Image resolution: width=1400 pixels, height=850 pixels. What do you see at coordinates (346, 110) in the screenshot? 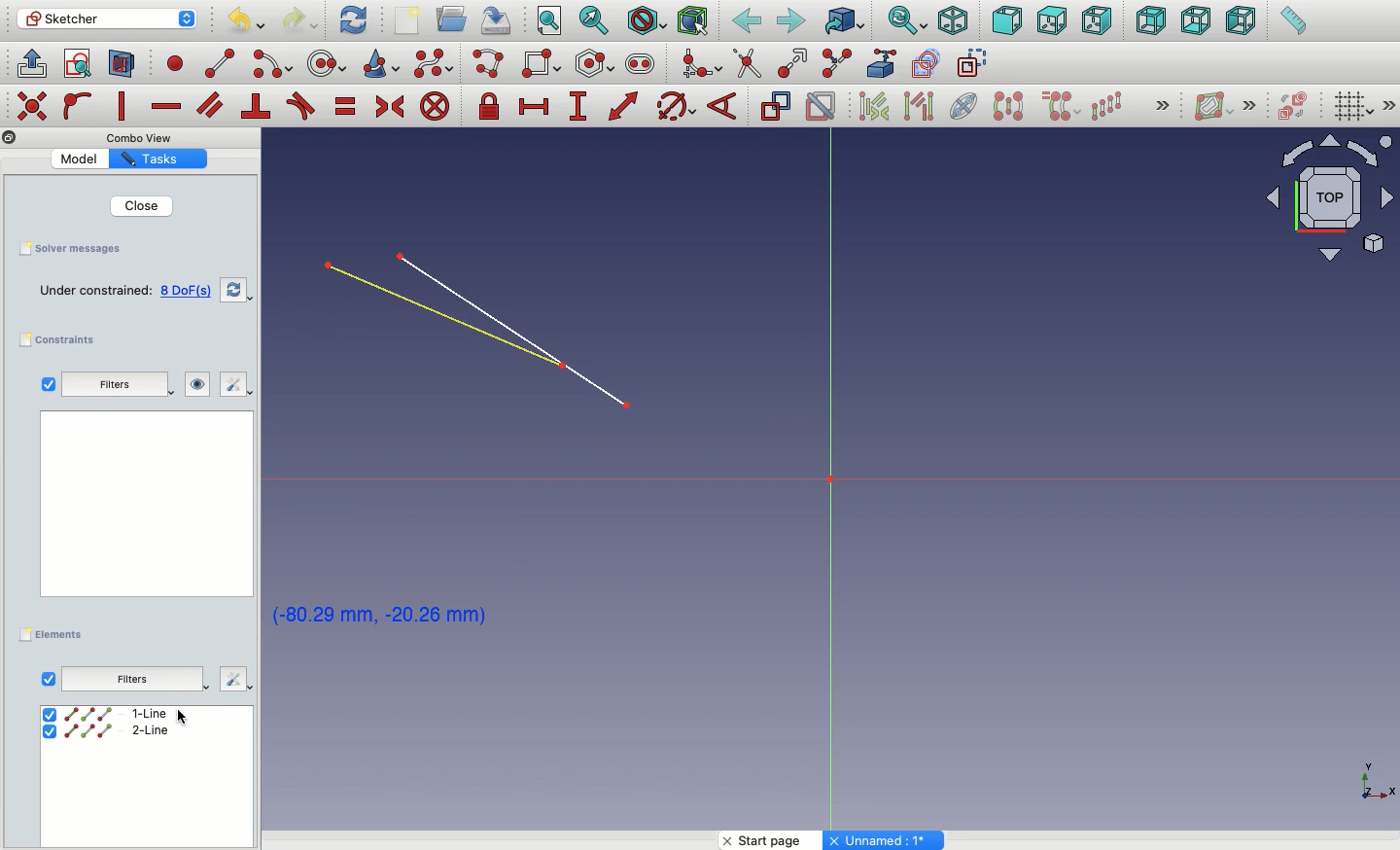
I see `Constrain equal` at bounding box center [346, 110].